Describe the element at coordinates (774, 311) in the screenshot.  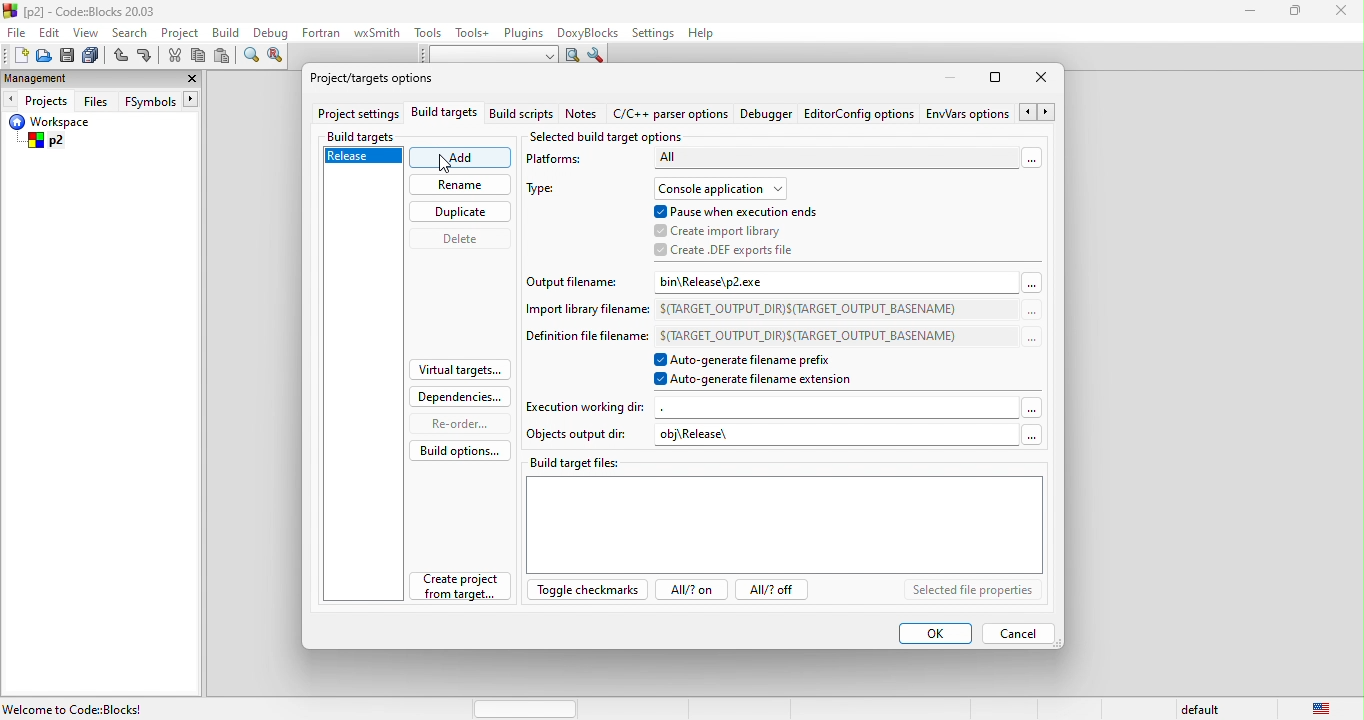
I see `Import library filename:  S(TARGET_OUTPUT_DIR)S(TARGET_OUTPUT_BASENAME)` at that location.